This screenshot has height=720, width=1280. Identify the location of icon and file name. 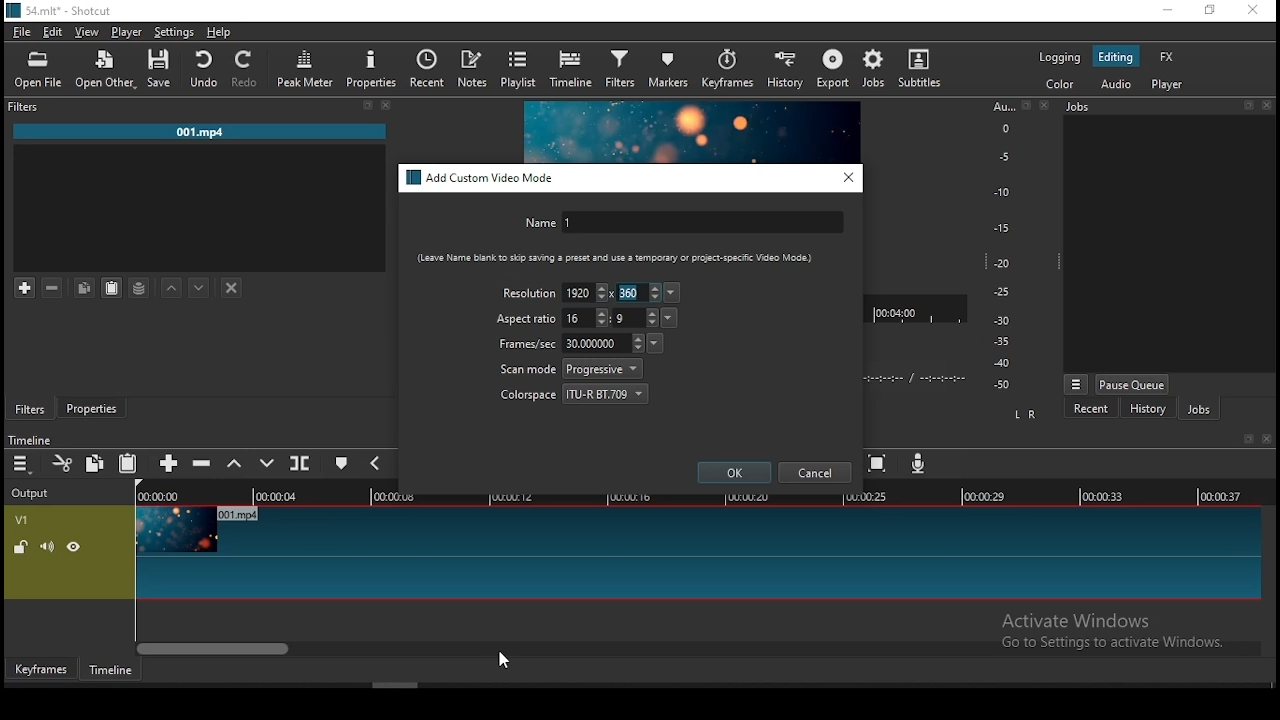
(62, 9).